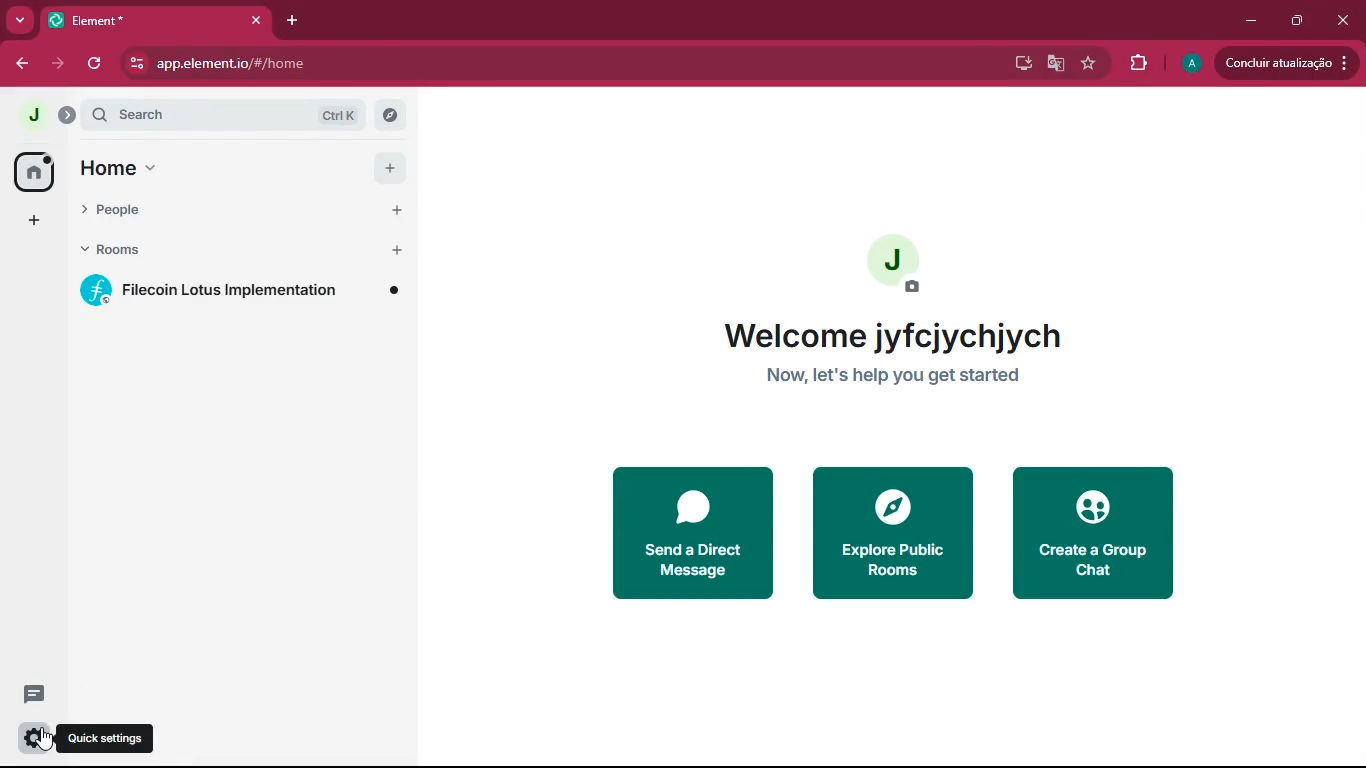 The height and width of the screenshot is (768, 1366). I want to click on home, so click(207, 168).